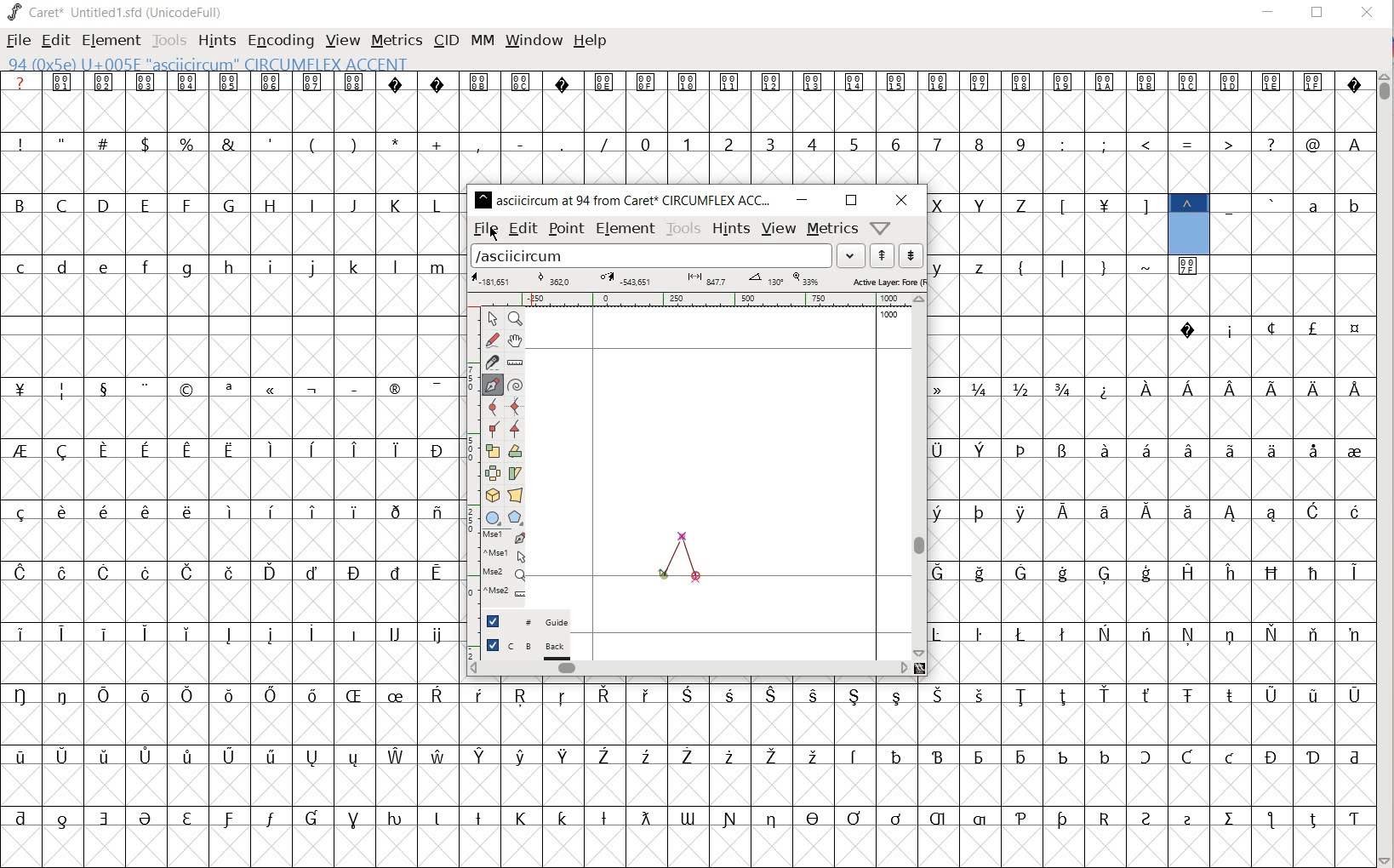 This screenshot has width=1394, height=868. What do you see at coordinates (269, 65) in the screenshot?
I see `94 0xSe U+00SE "asciicircum CIRCUMFLEX ACCENT` at bounding box center [269, 65].